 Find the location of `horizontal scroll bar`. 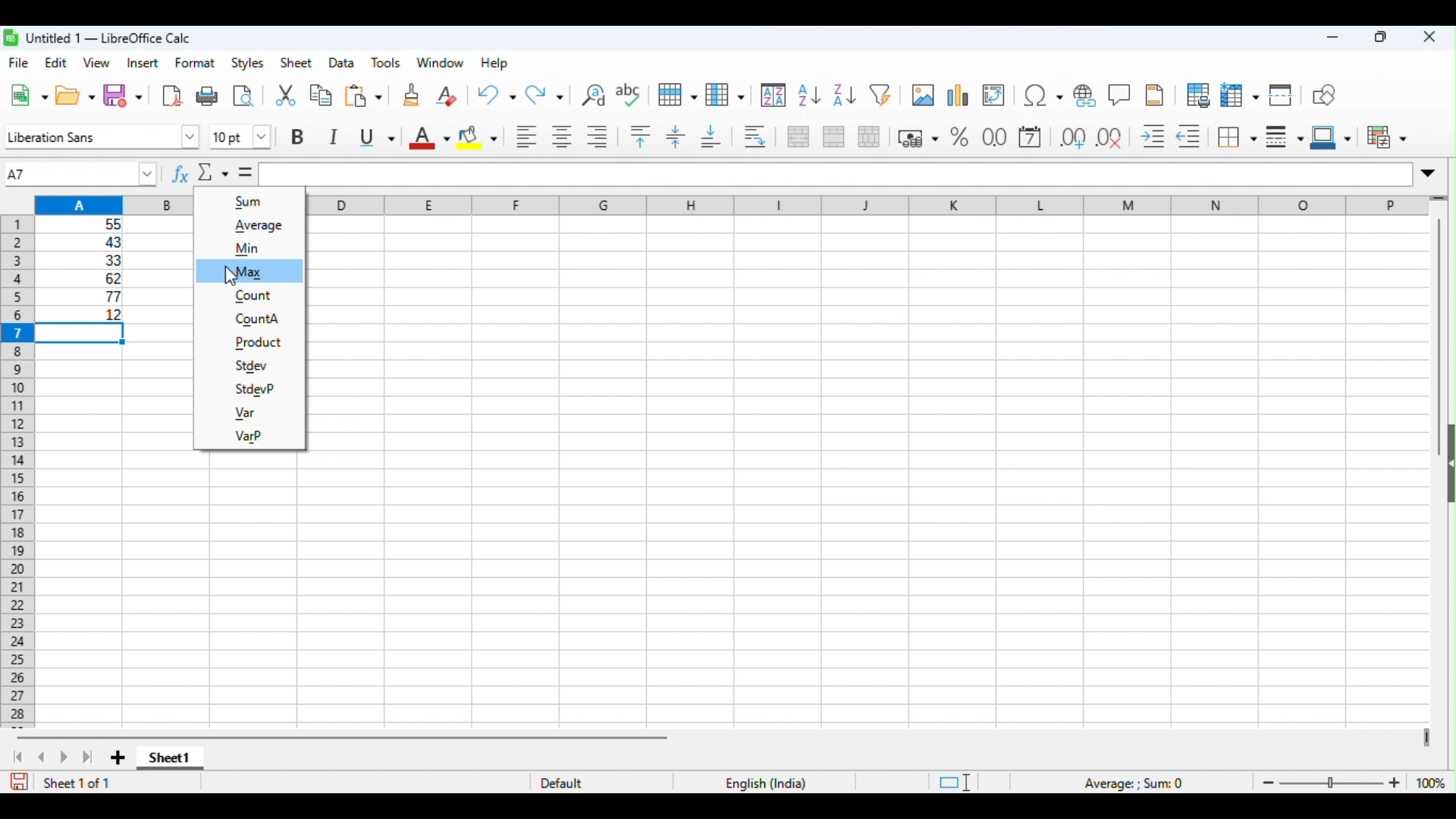

horizontal scroll bar is located at coordinates (345, 737).